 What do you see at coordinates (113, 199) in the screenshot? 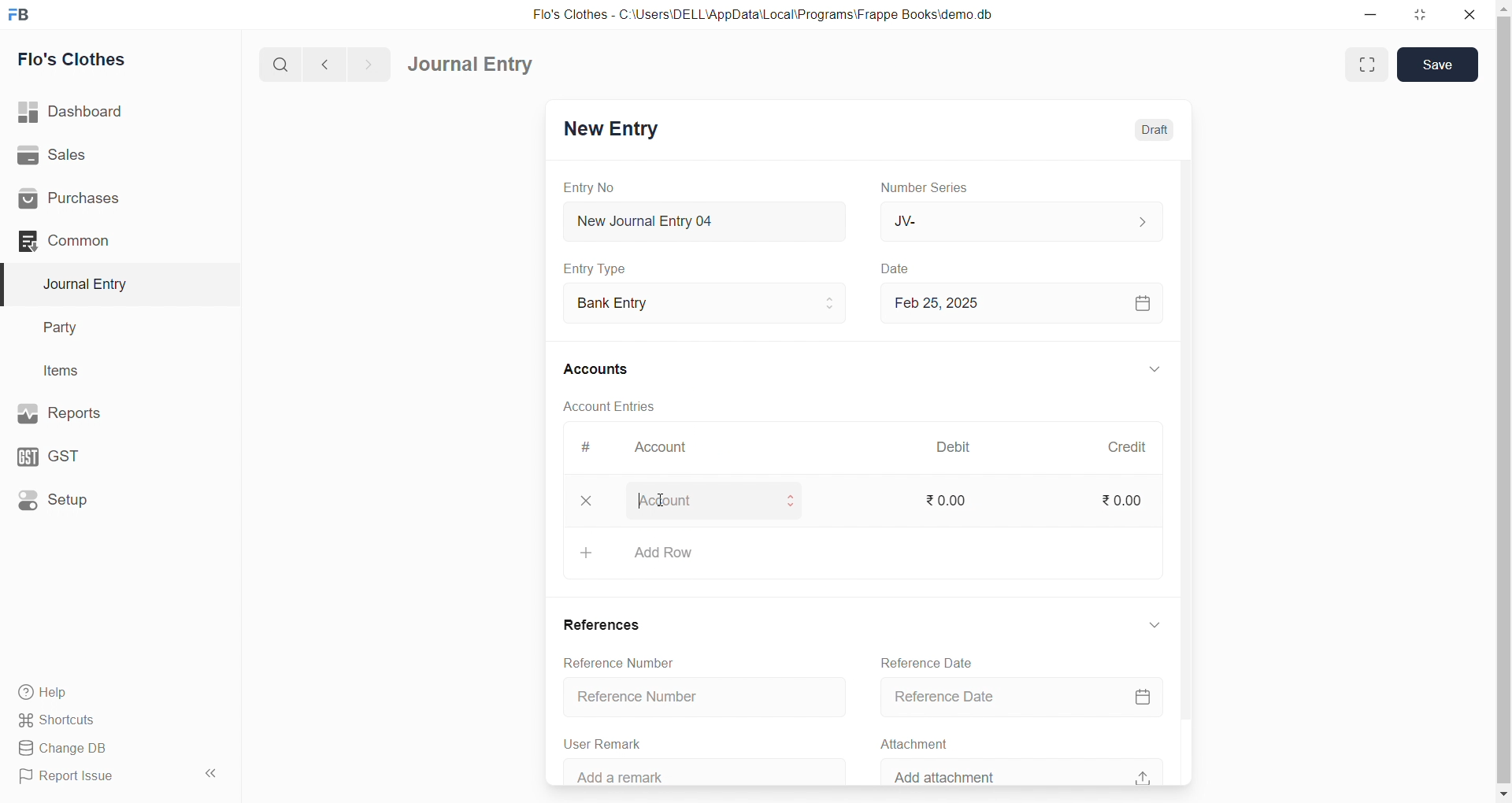
I see `Purchases` at bounding box center [113, 199].